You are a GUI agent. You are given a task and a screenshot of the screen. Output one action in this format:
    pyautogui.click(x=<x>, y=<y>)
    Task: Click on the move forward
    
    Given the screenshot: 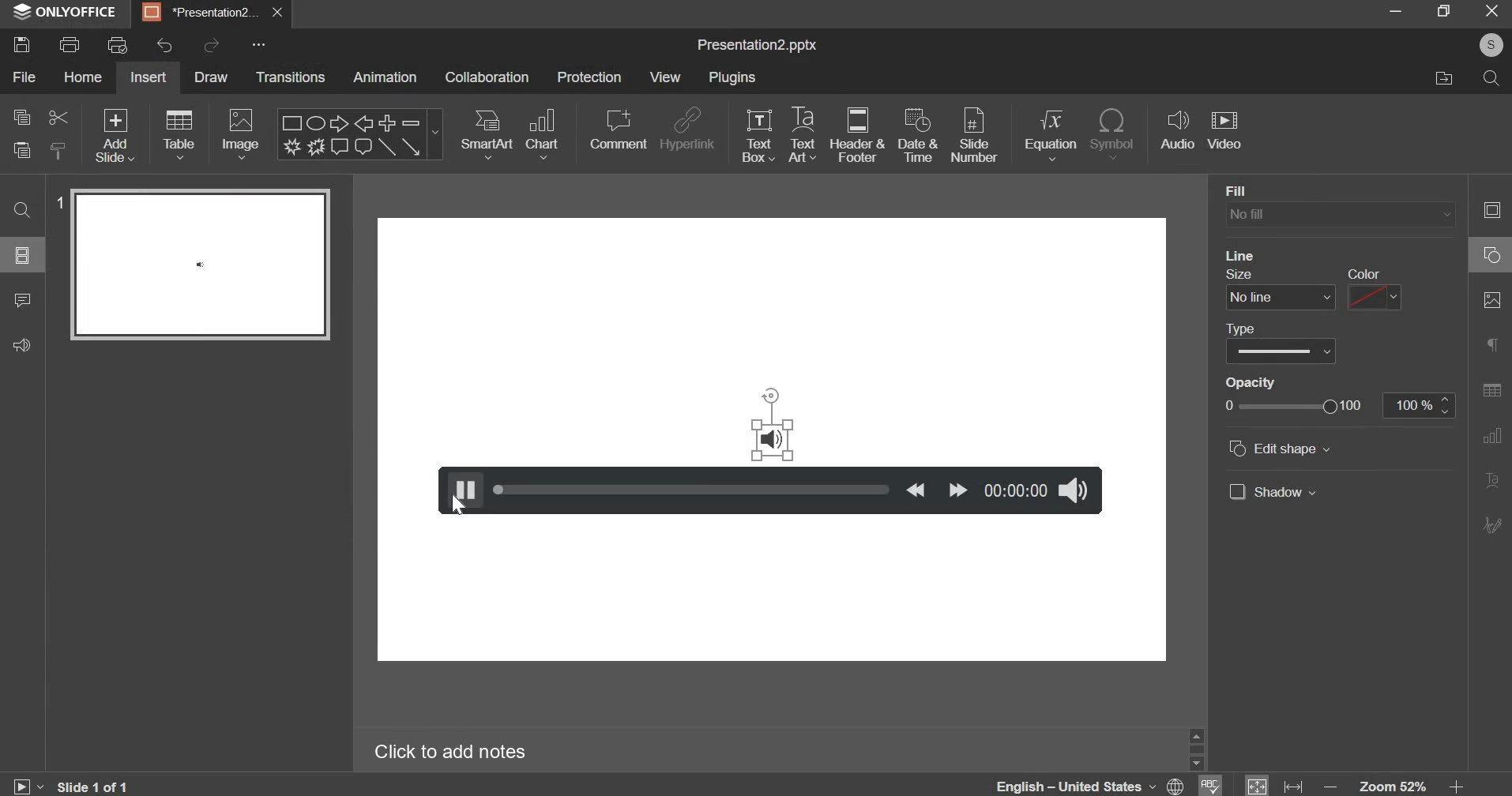 What is the action you would take?
    pyautogui.click(x=957, y=490)
    